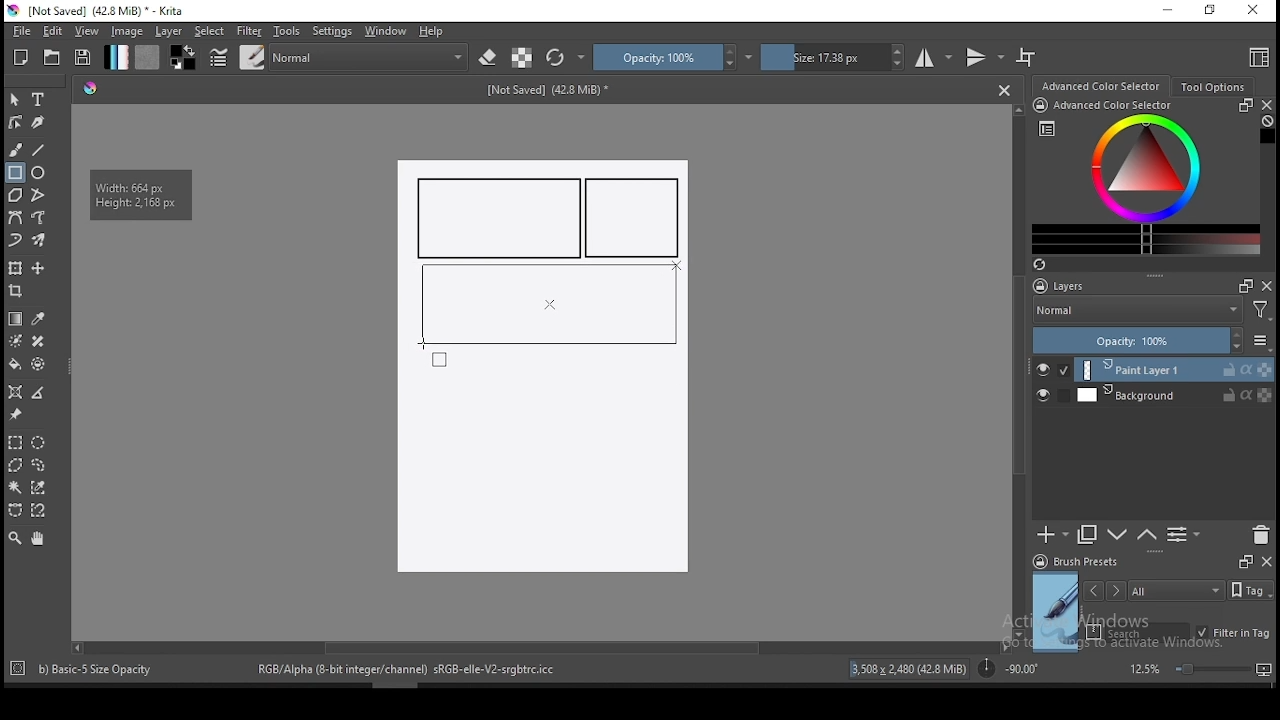 This screenshot has height=720, width=1280. What do you see at coordinates (38, 341) in the screenshot?
I see `smart patch tool` at bounding box center [38, 341].